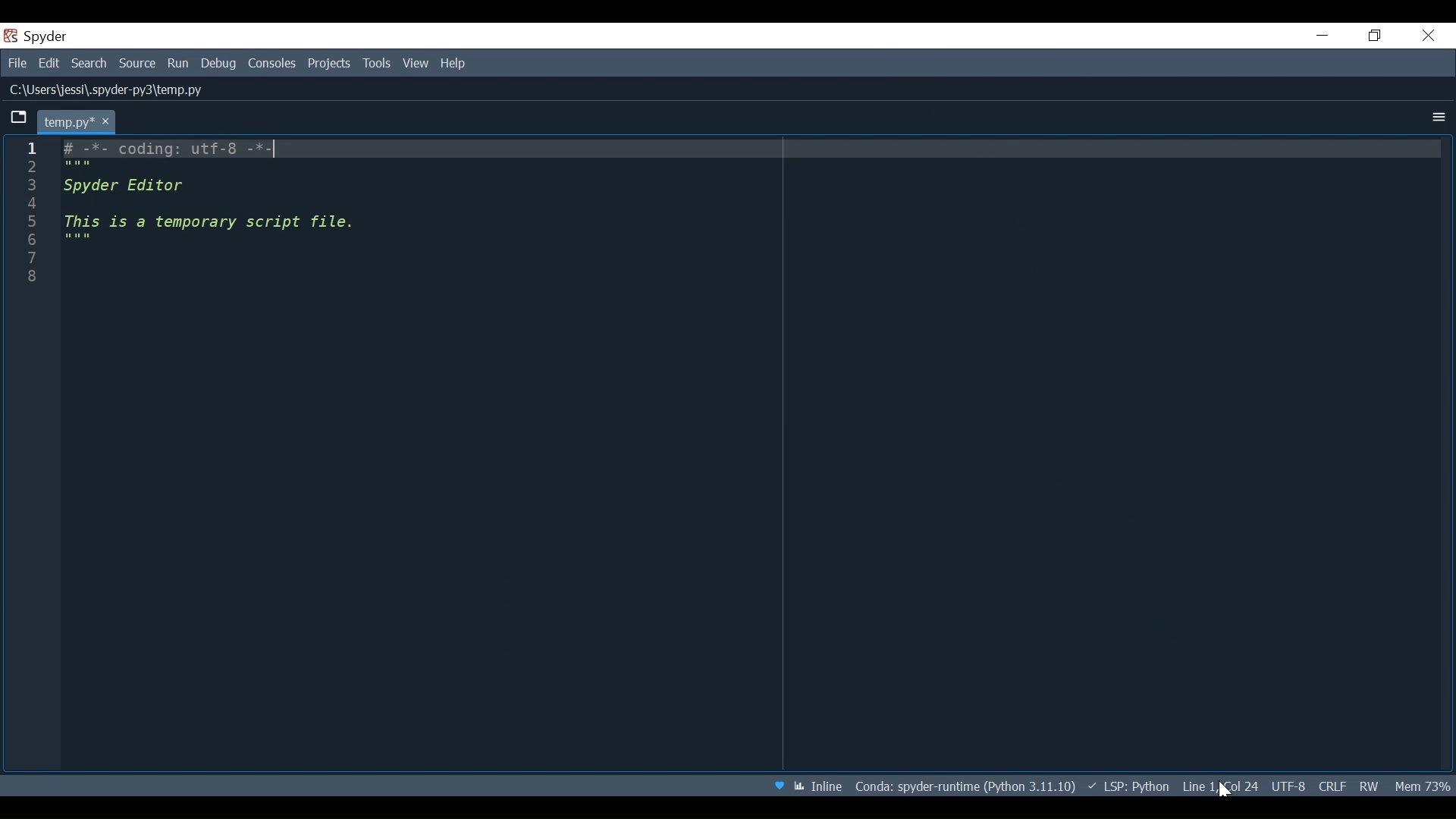 This screenshot has height=819, width=1456. I want to click on Help, so click(456, 64).